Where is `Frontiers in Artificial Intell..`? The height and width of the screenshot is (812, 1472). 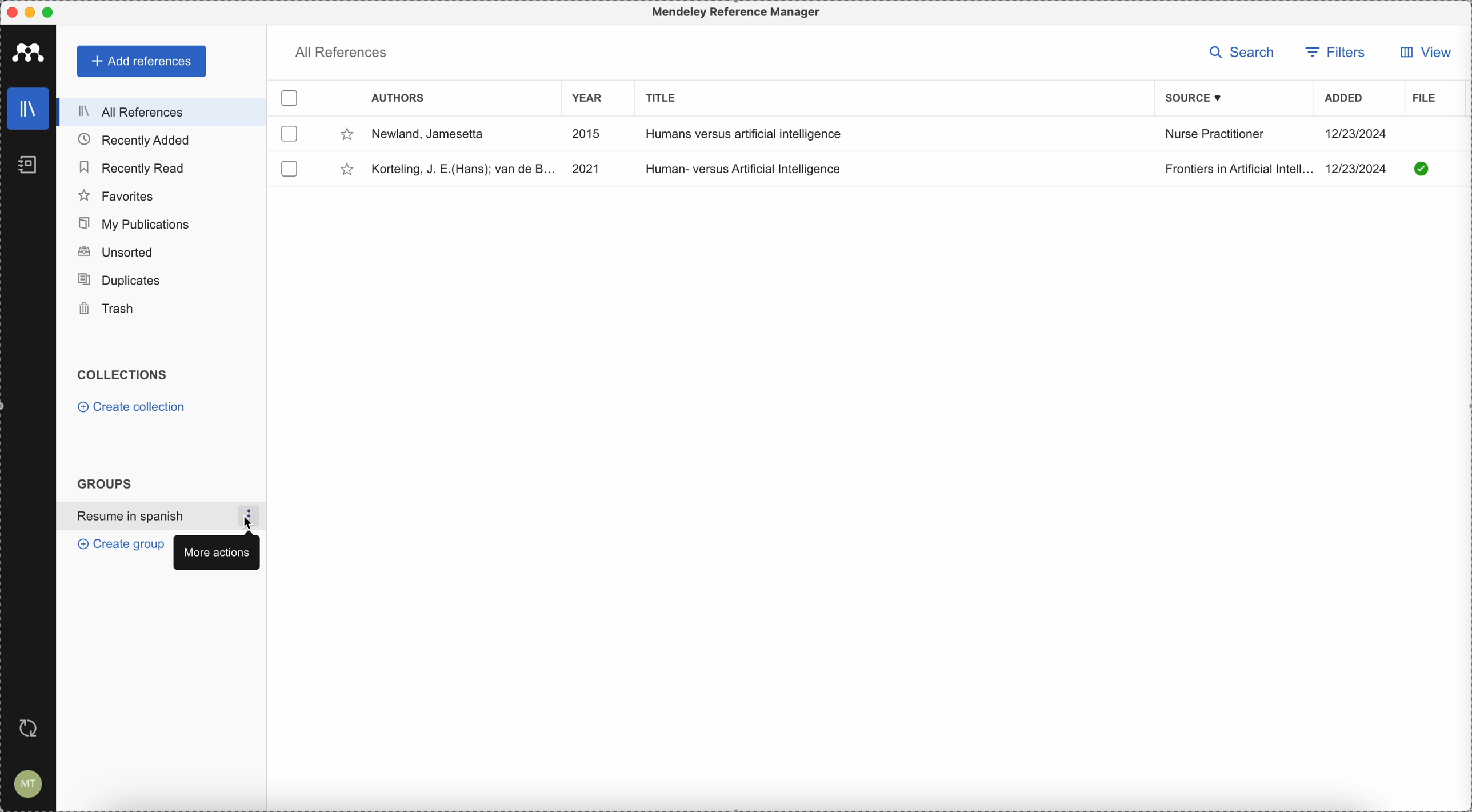 Frontiers in Artificial Intell.. is located at coordinates (1233, 168).